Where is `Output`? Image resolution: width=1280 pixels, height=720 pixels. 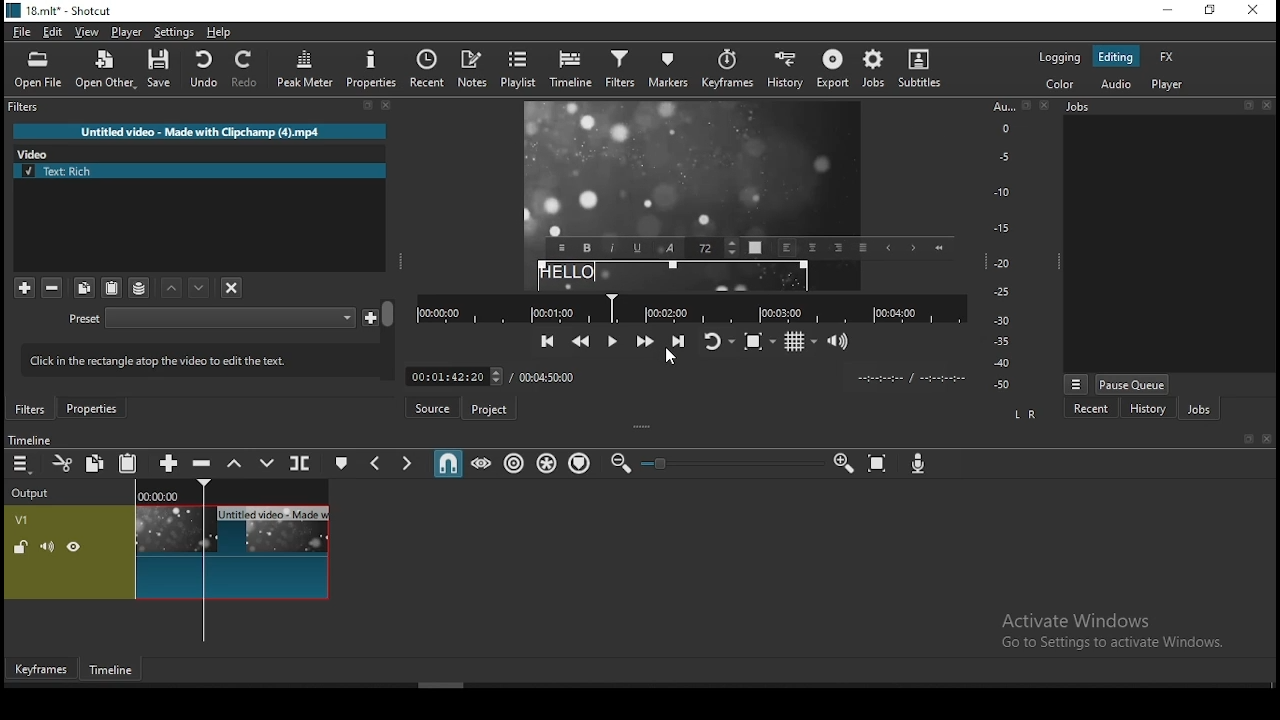 Output is located at coordinates (34, 490).